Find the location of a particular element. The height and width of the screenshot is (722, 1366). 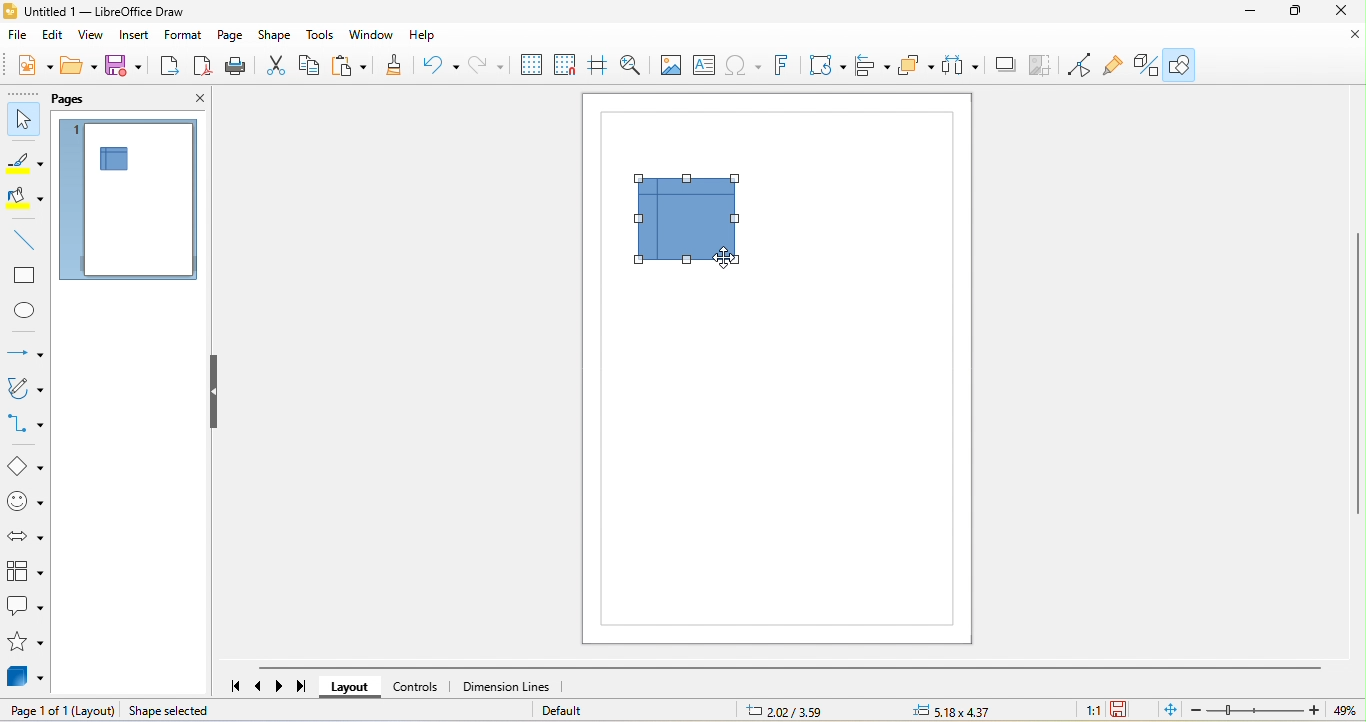

snap to grid is located at coordinates (569, 66).